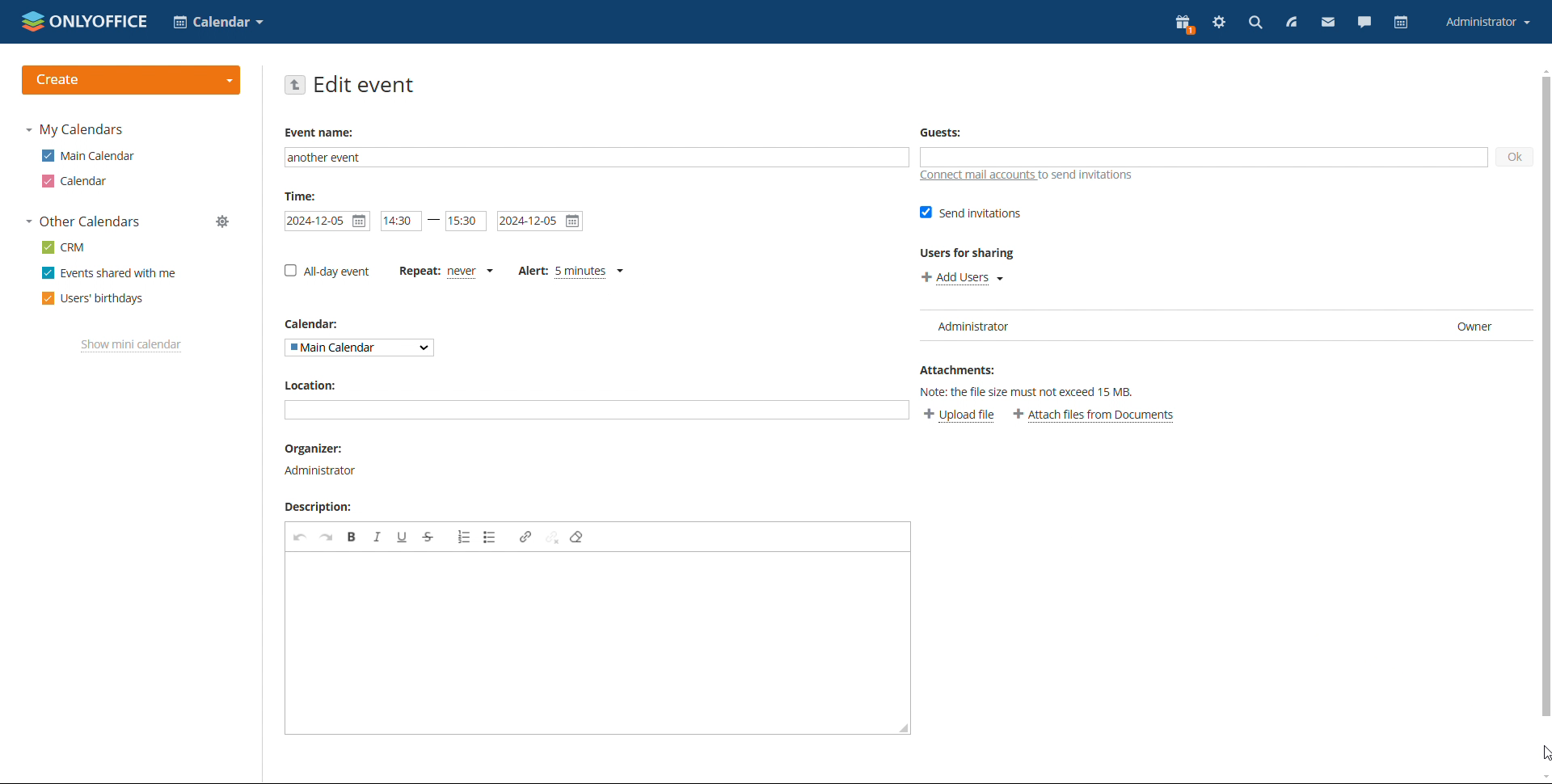  I want to click on Time:, so click(301, 196).